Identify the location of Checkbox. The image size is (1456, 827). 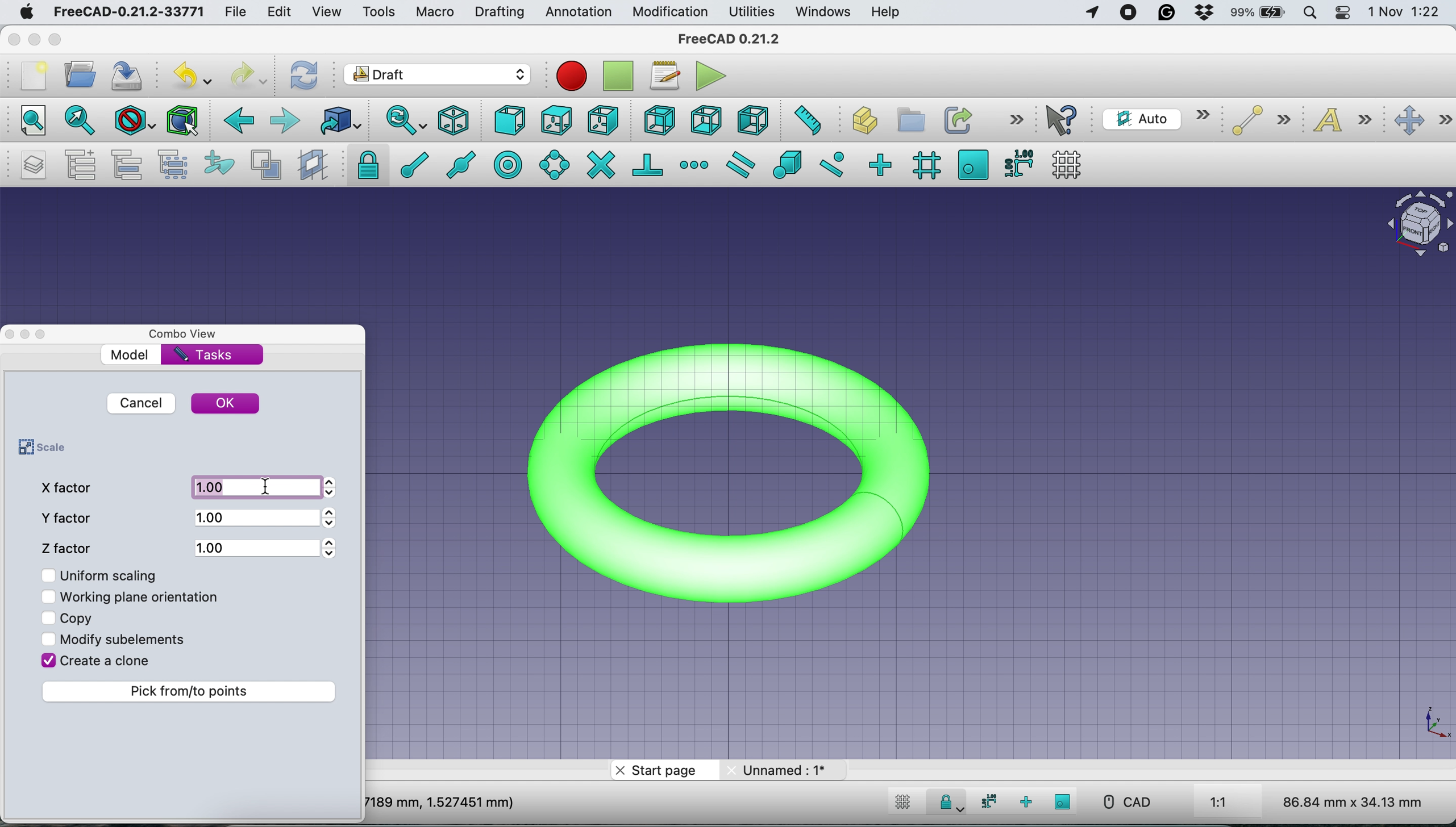
(49, 597).